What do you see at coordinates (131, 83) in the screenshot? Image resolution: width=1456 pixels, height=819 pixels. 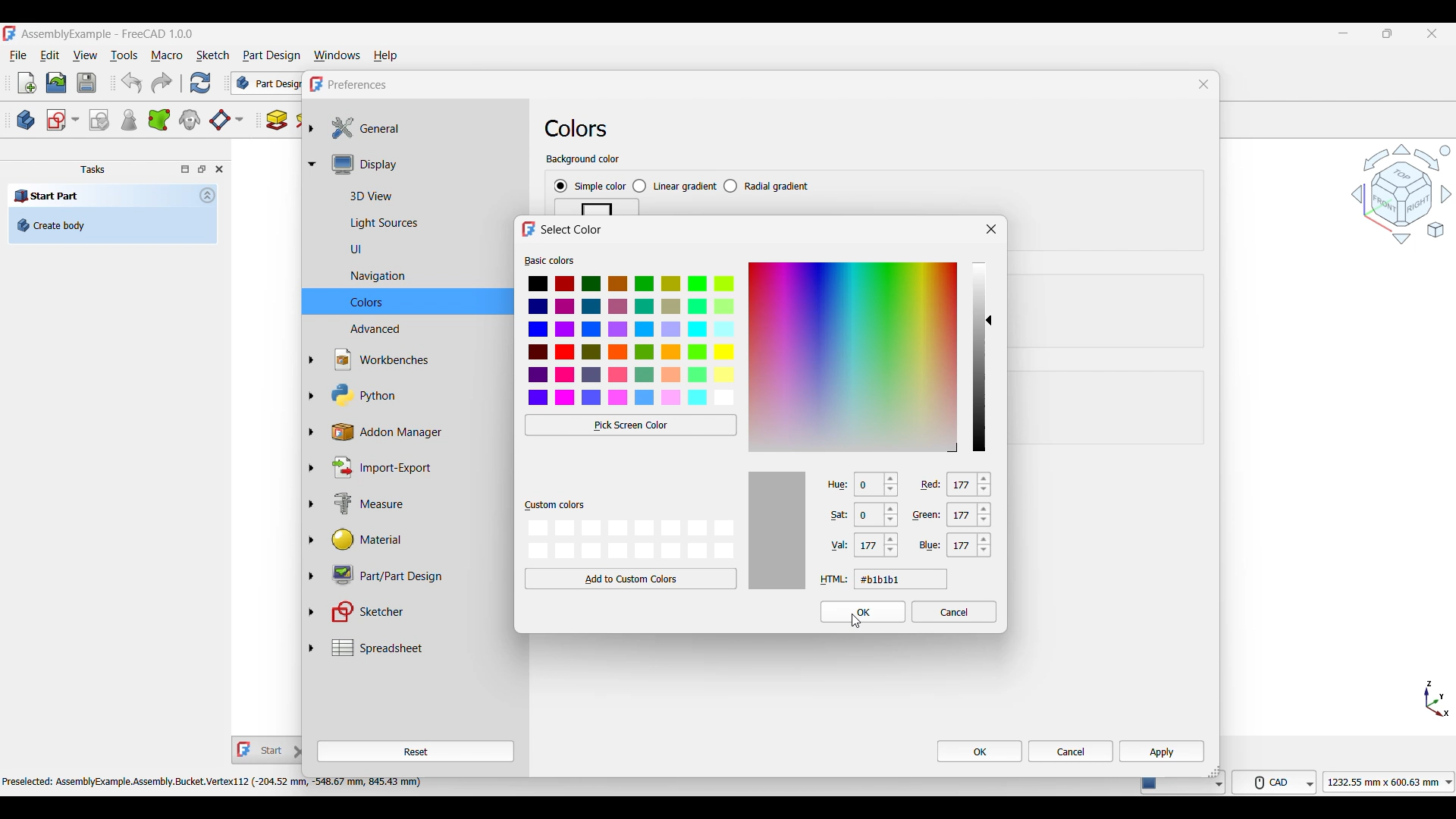 I see `Undo` at bounding box center [131, 83].